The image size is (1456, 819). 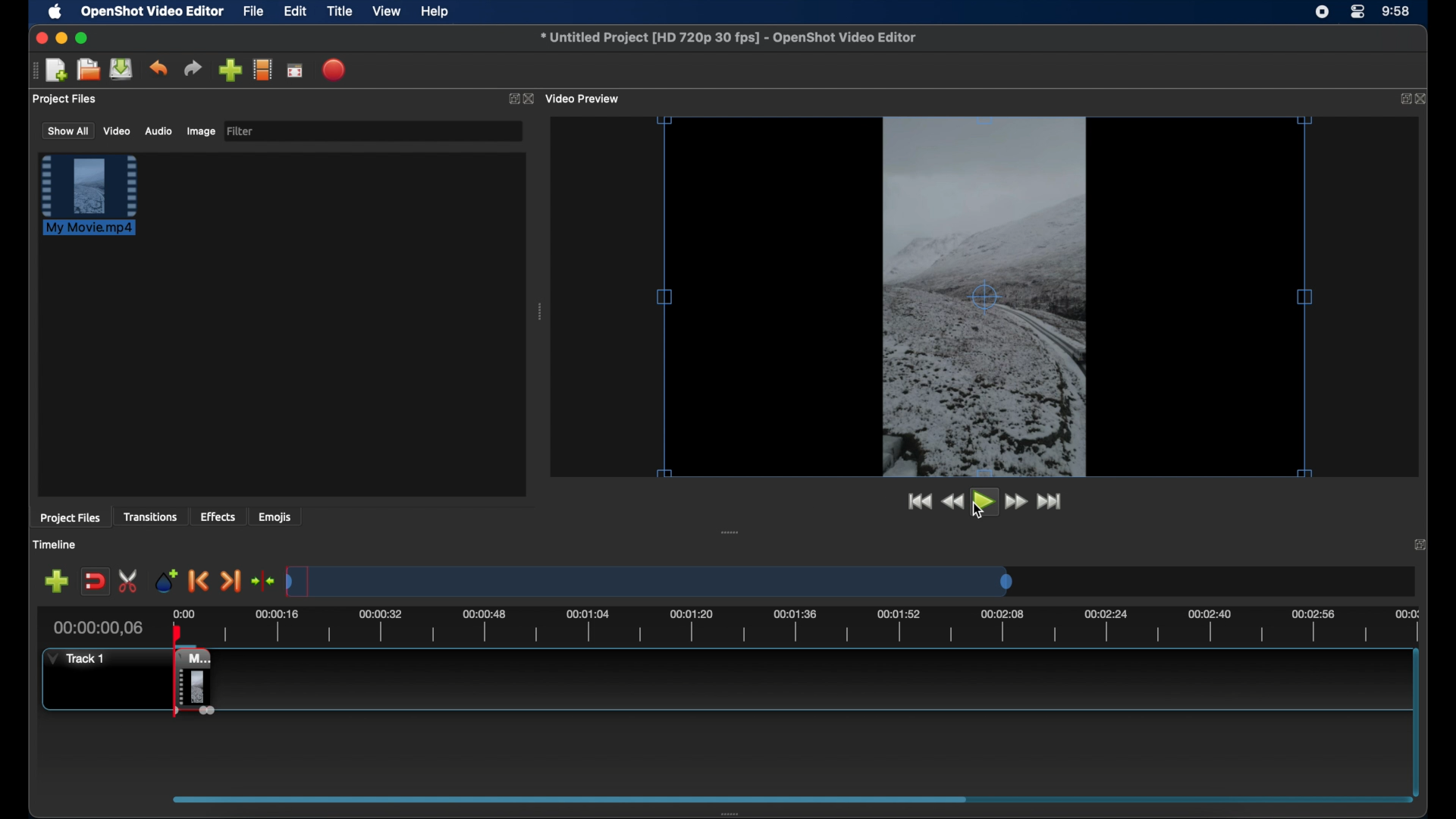 What do you see at coordinates (39, 38) in the screenshot?
I see `close` at bounding box center [39, 38].